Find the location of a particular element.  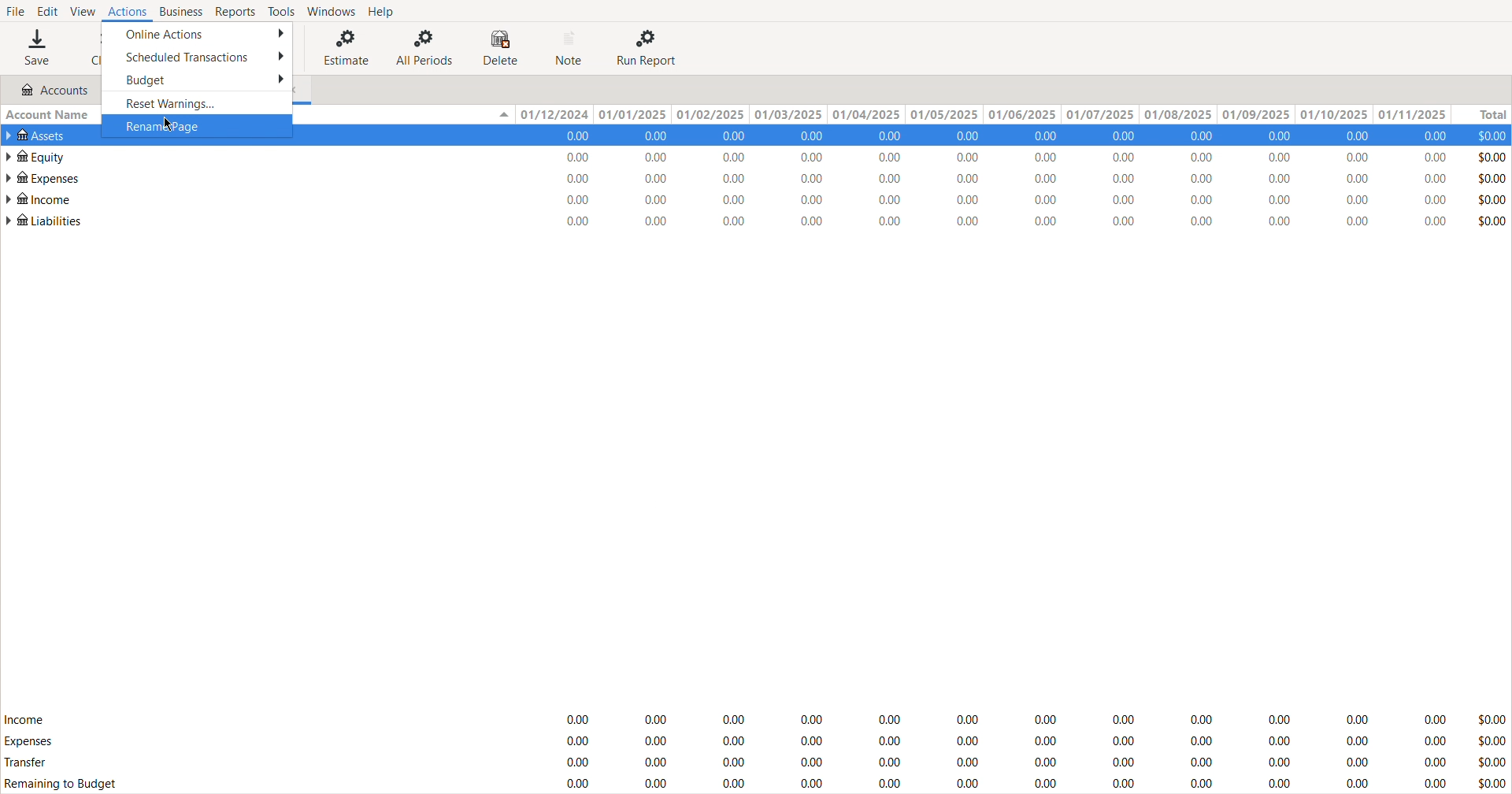

Account Name is located at coordinates (50, 115).